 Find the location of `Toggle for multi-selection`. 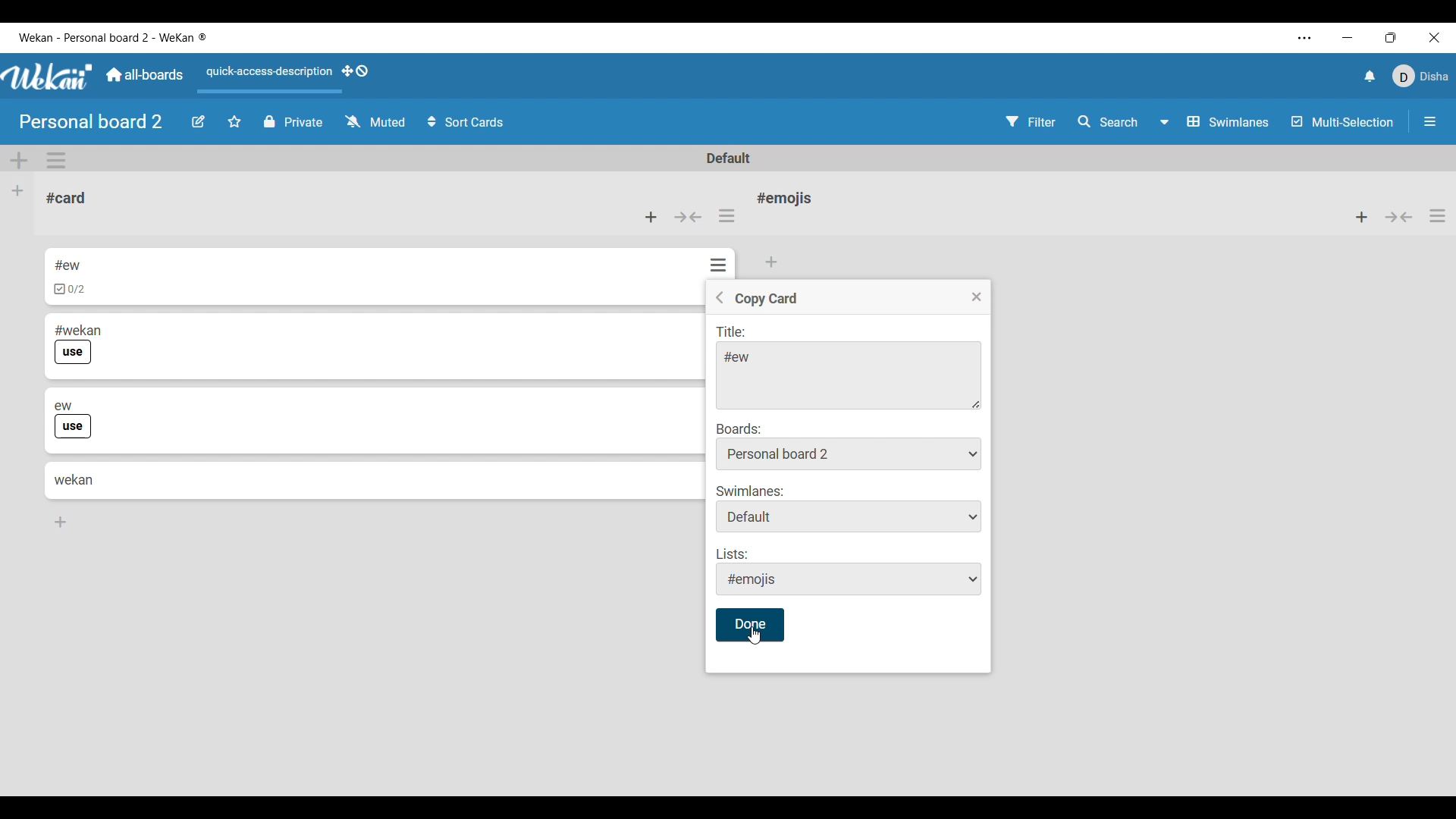

Toggle for multi-selection is located at coordinates (1342, 121).